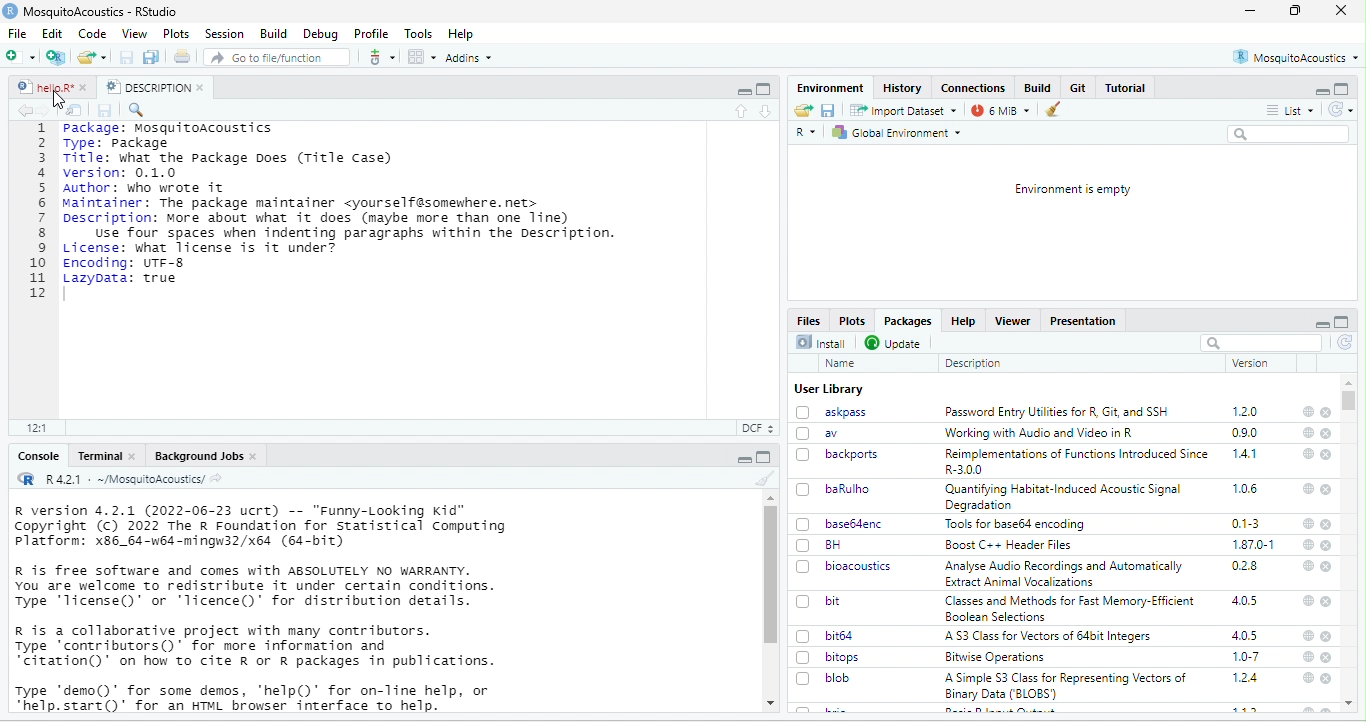 This screenshot has width=1366, height=722. Describe the element at coordinates (39, 457) in the screenshot. I see `Console` at that location.